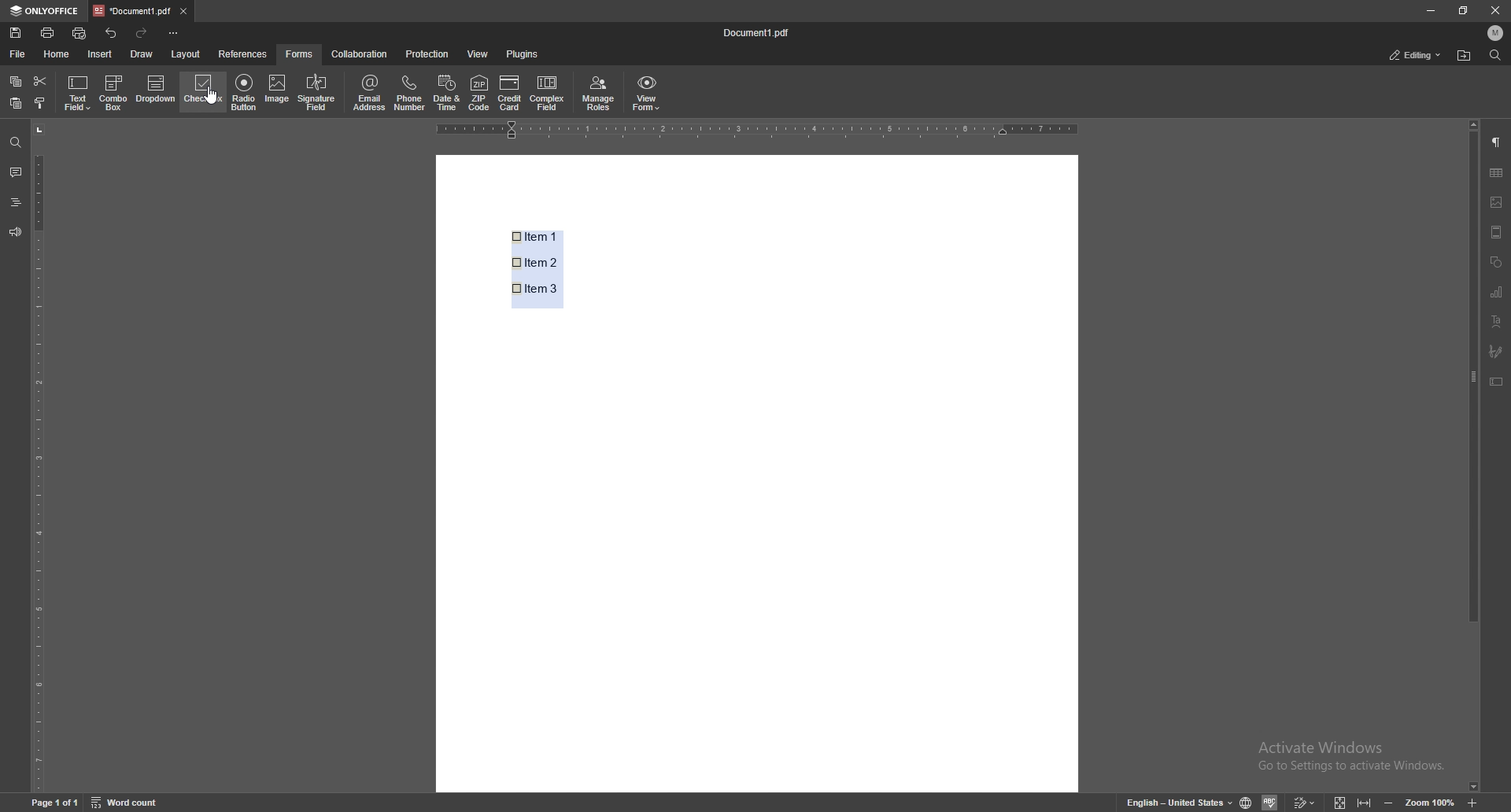  What do you see at coordinates (429, 54) in the screenshot?
I see `protection` at bounding box center [429, 54].